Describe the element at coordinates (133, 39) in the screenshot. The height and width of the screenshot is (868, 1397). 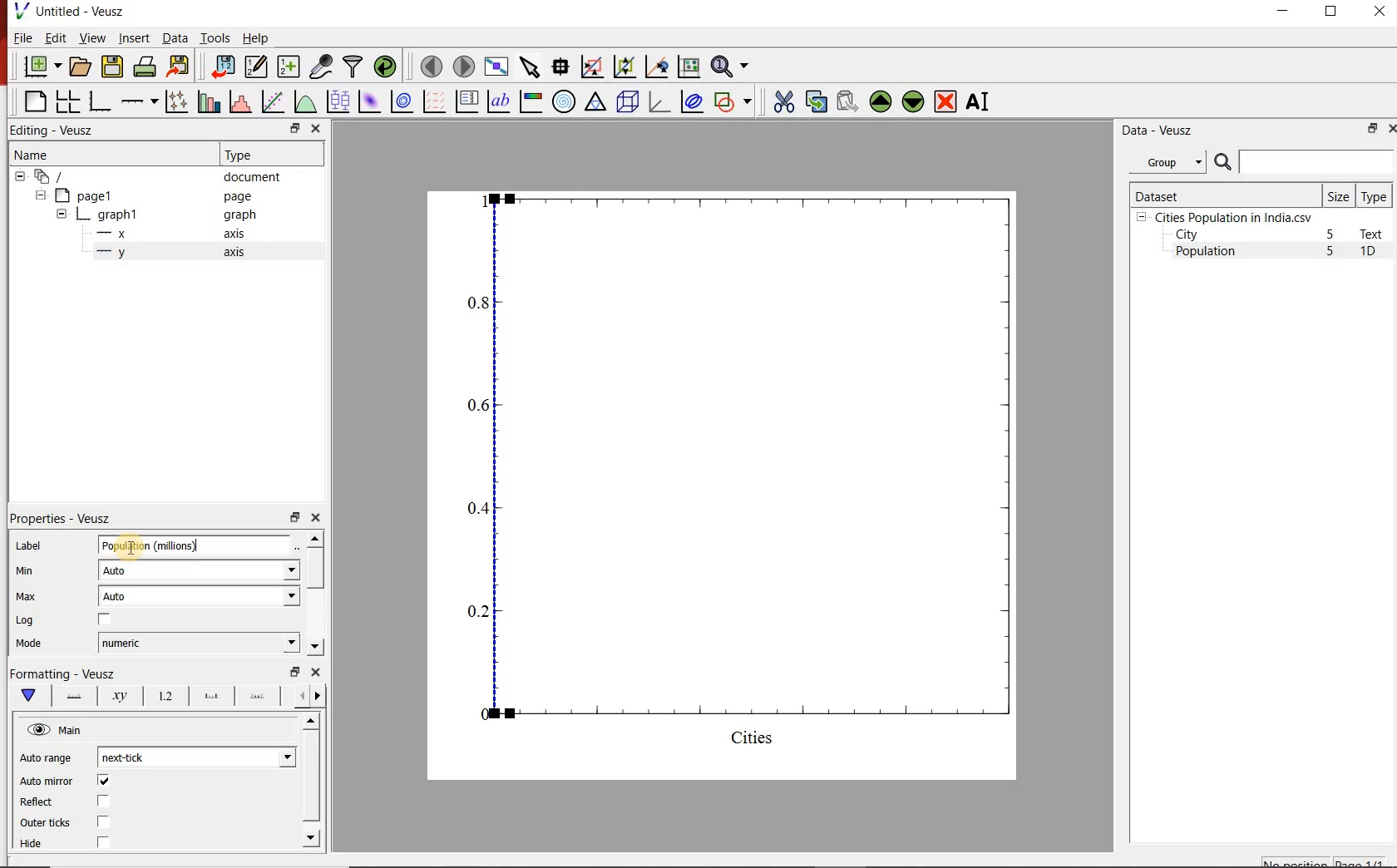
I see `Insert` at that location.